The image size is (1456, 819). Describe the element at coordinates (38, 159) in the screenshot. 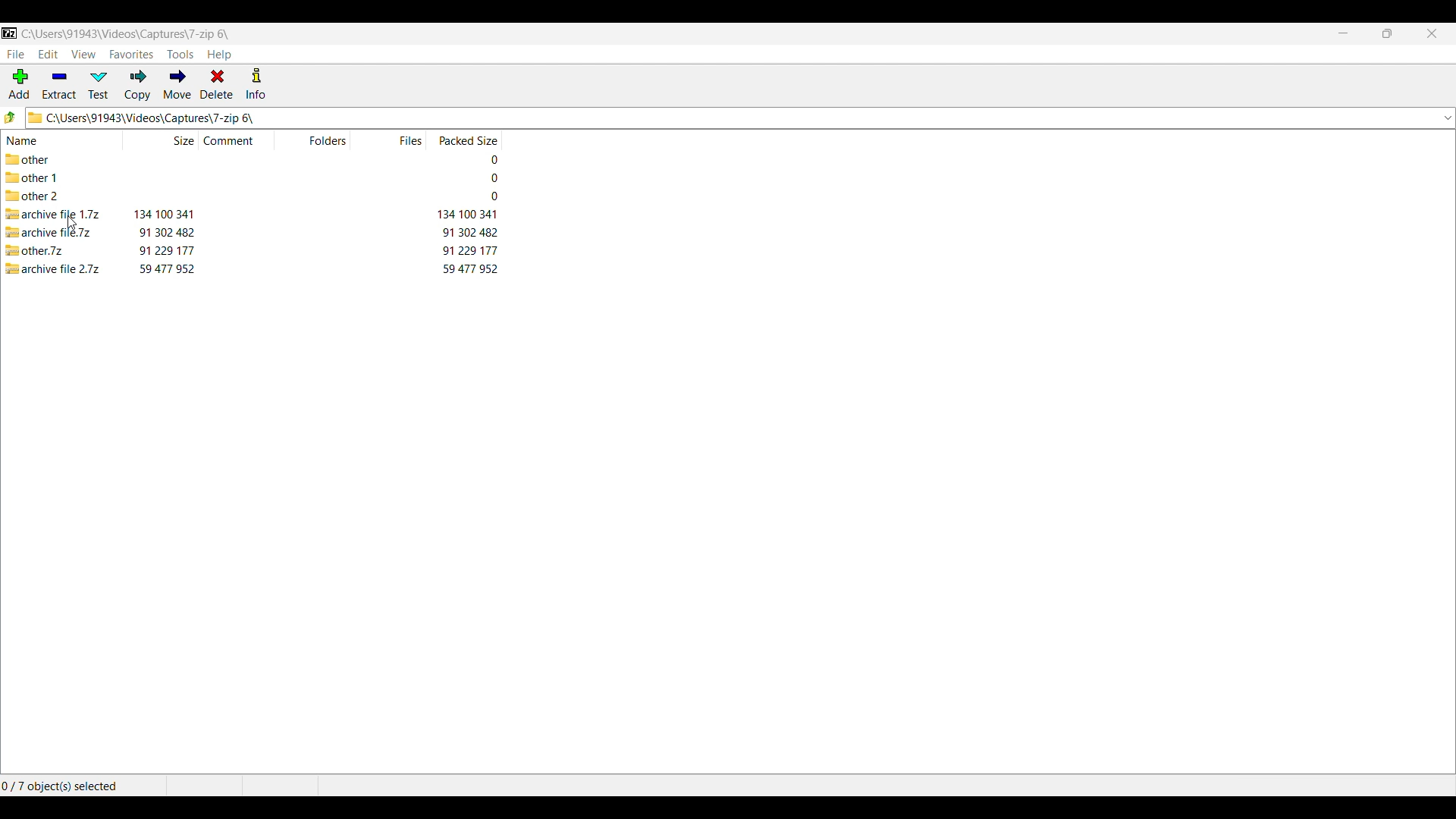

I see `other ` at that location.